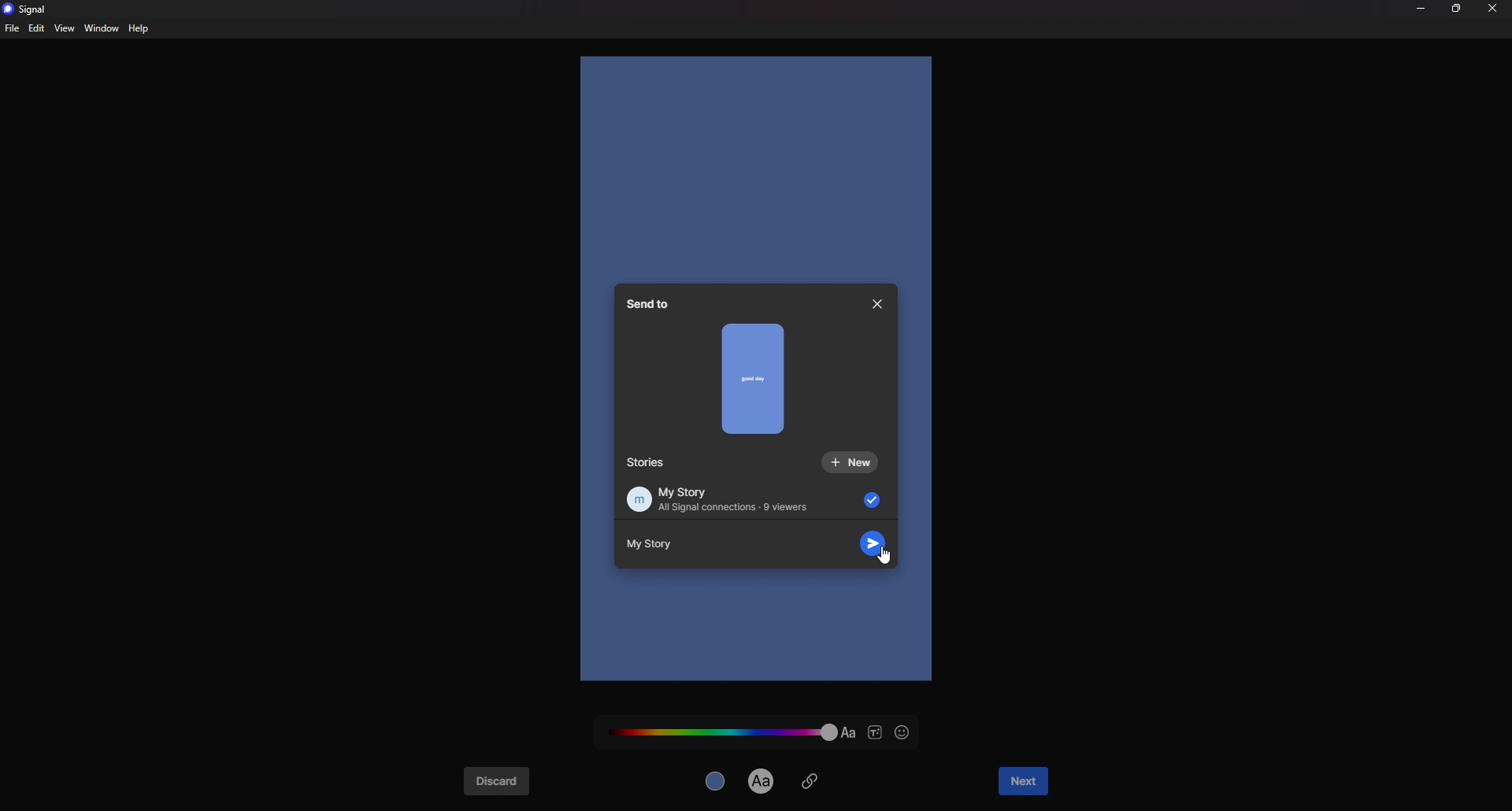 The image size is (1512, 811). What do you see at coordinates (497, 782) in the screenshot?
I see `discard` at bounding box center [497, 782].